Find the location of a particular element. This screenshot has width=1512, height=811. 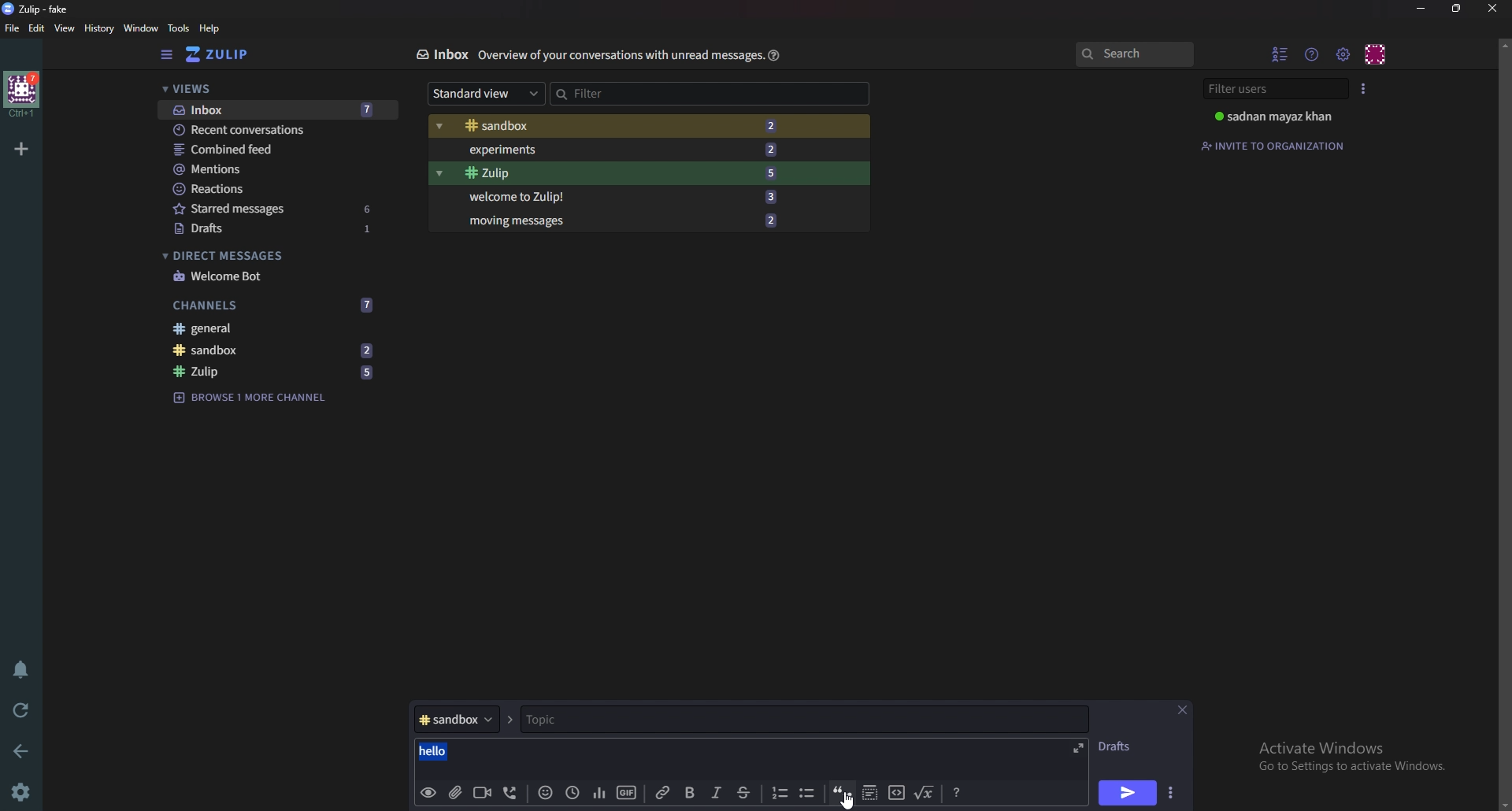

Invite to organization is located at coordinates (1278, 145).